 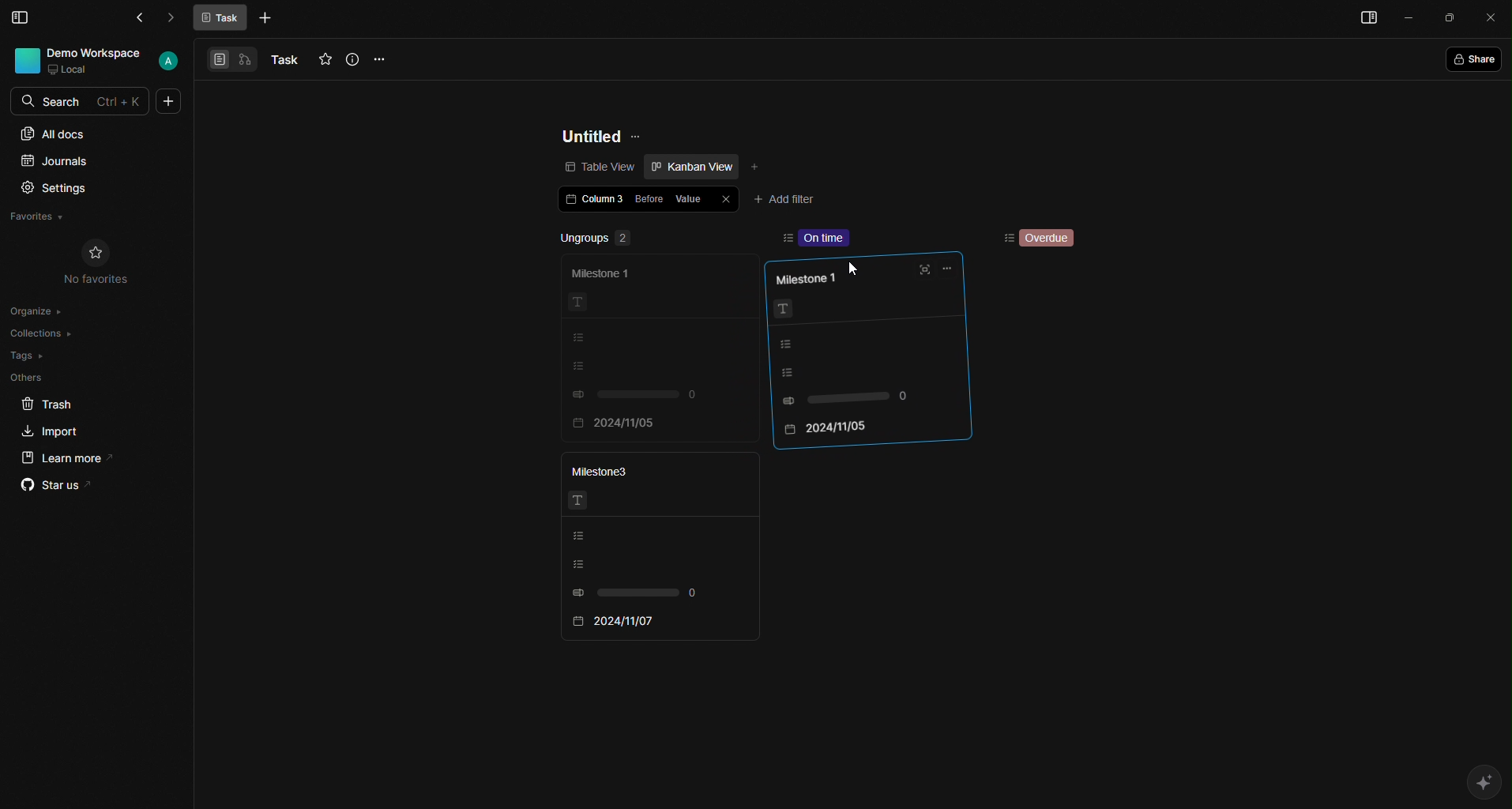 I want to click on Close, so click(x=1493, y=16).